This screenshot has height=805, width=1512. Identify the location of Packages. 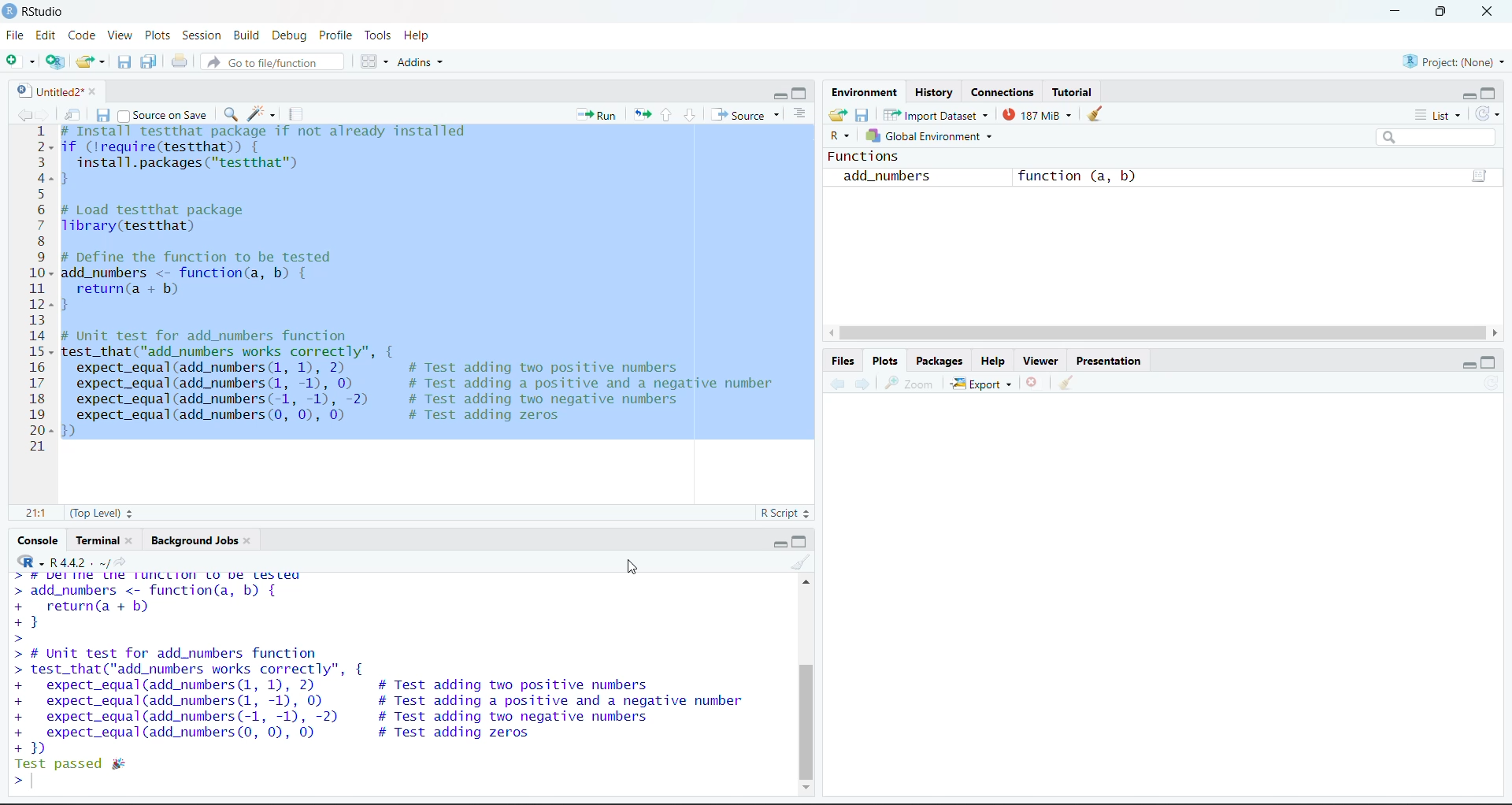
(939, 361).